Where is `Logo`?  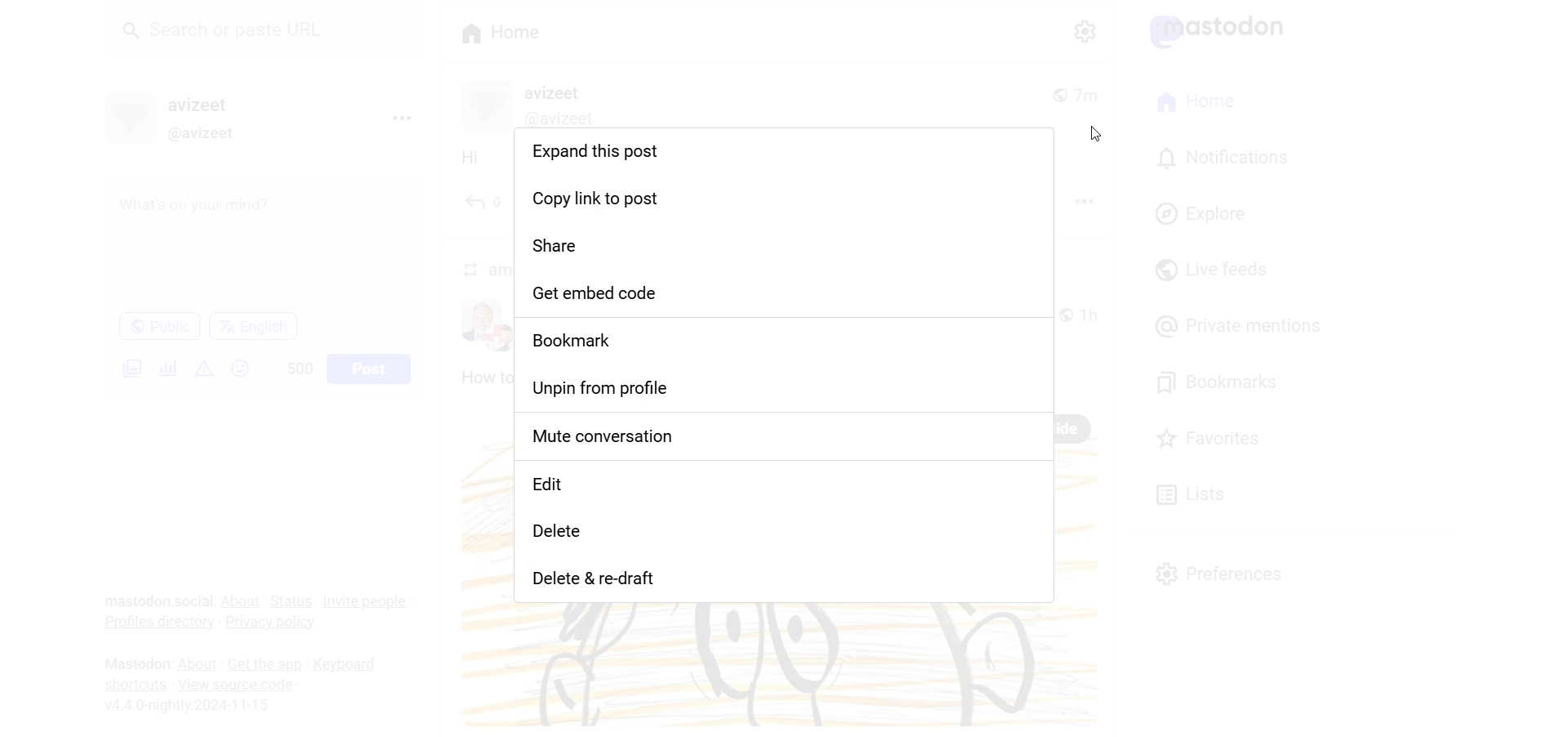
Logo is located at coordinates (1226, 30).